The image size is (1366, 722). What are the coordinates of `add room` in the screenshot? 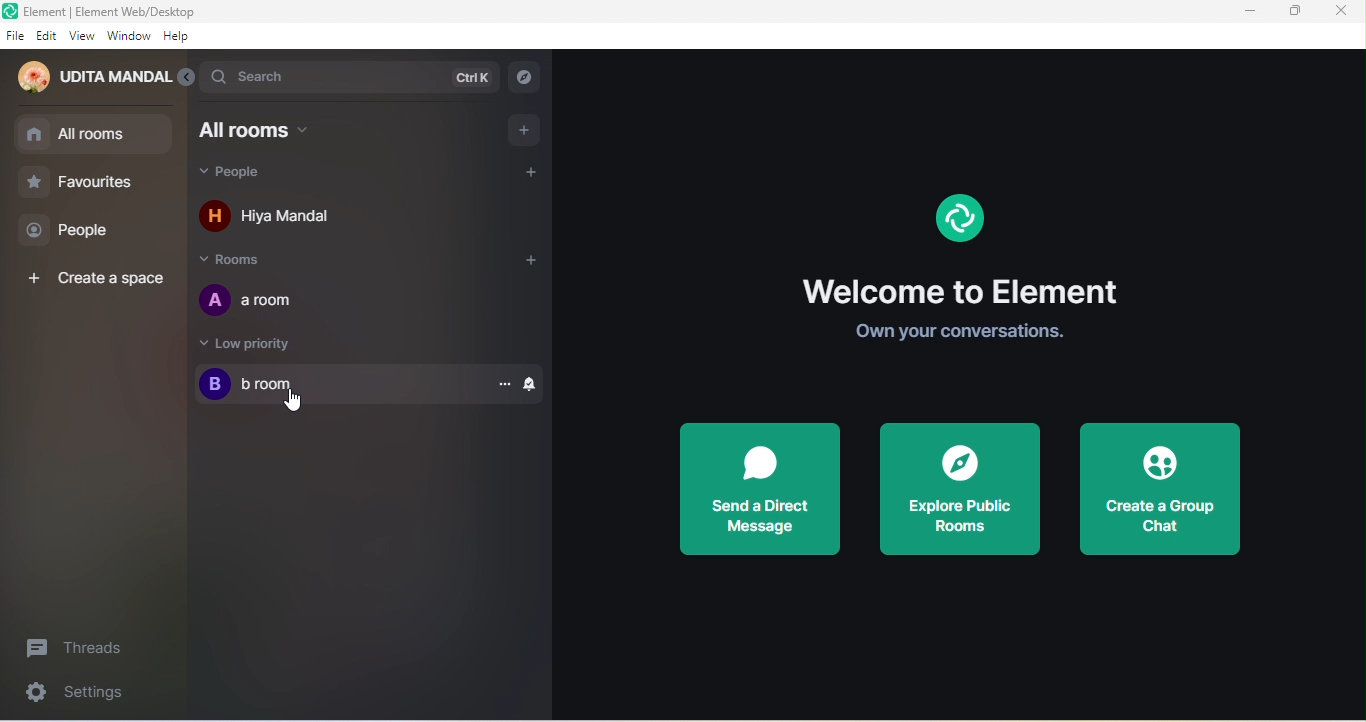 It's located at (536, 266).